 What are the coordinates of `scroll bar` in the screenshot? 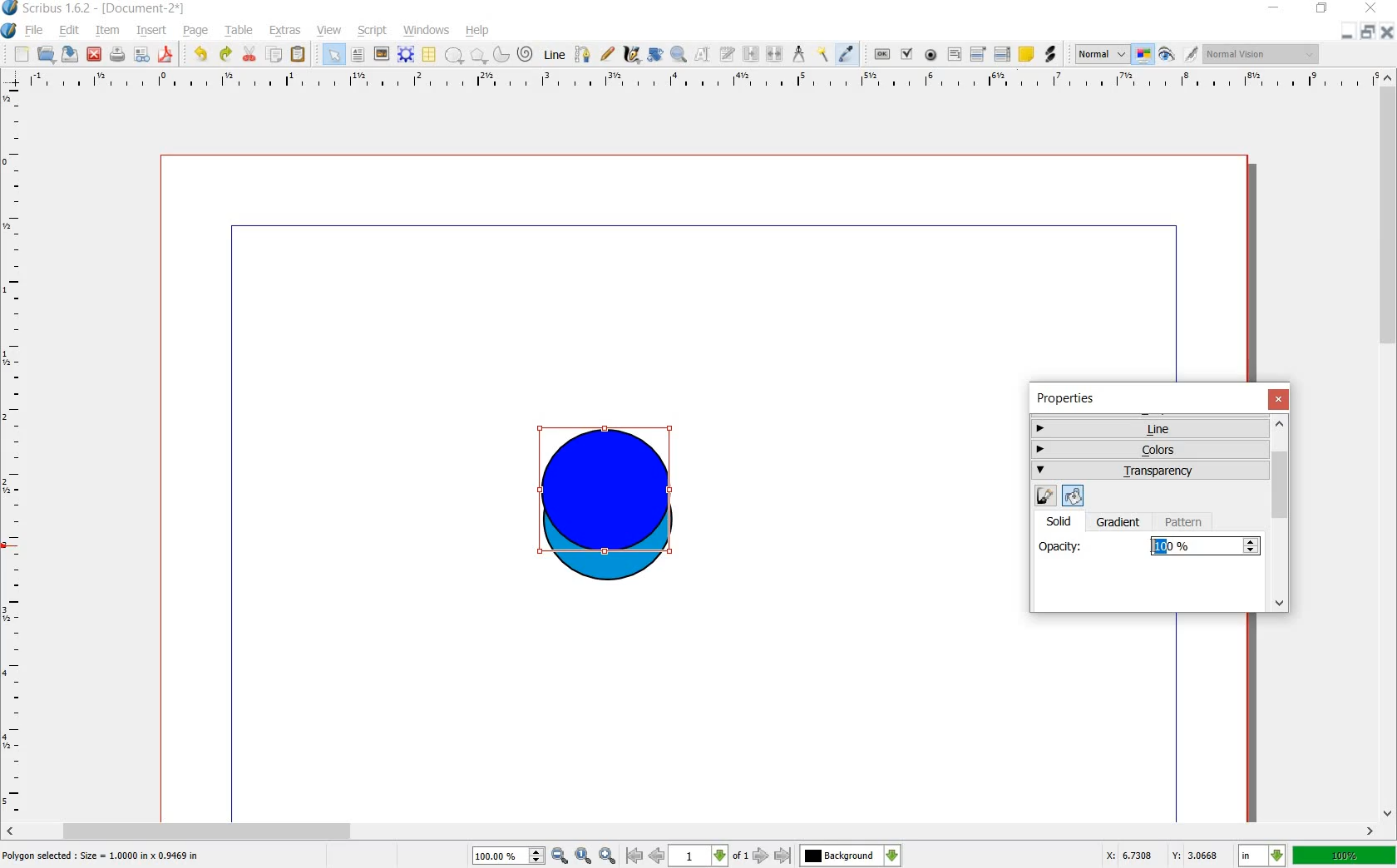 It's located at (1389, 442).